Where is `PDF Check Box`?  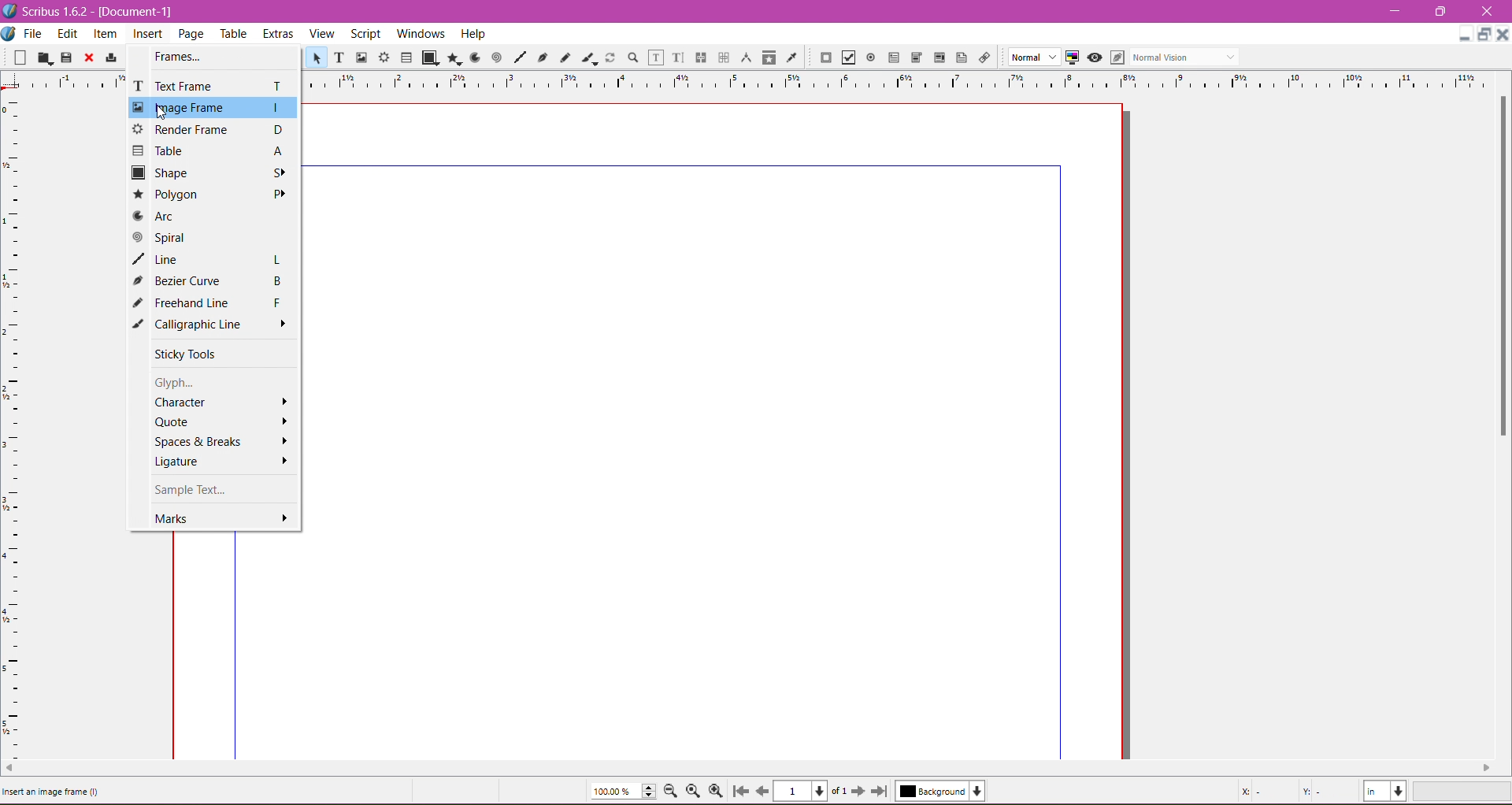 PDF Check Box is located at coordinates (848, 57).